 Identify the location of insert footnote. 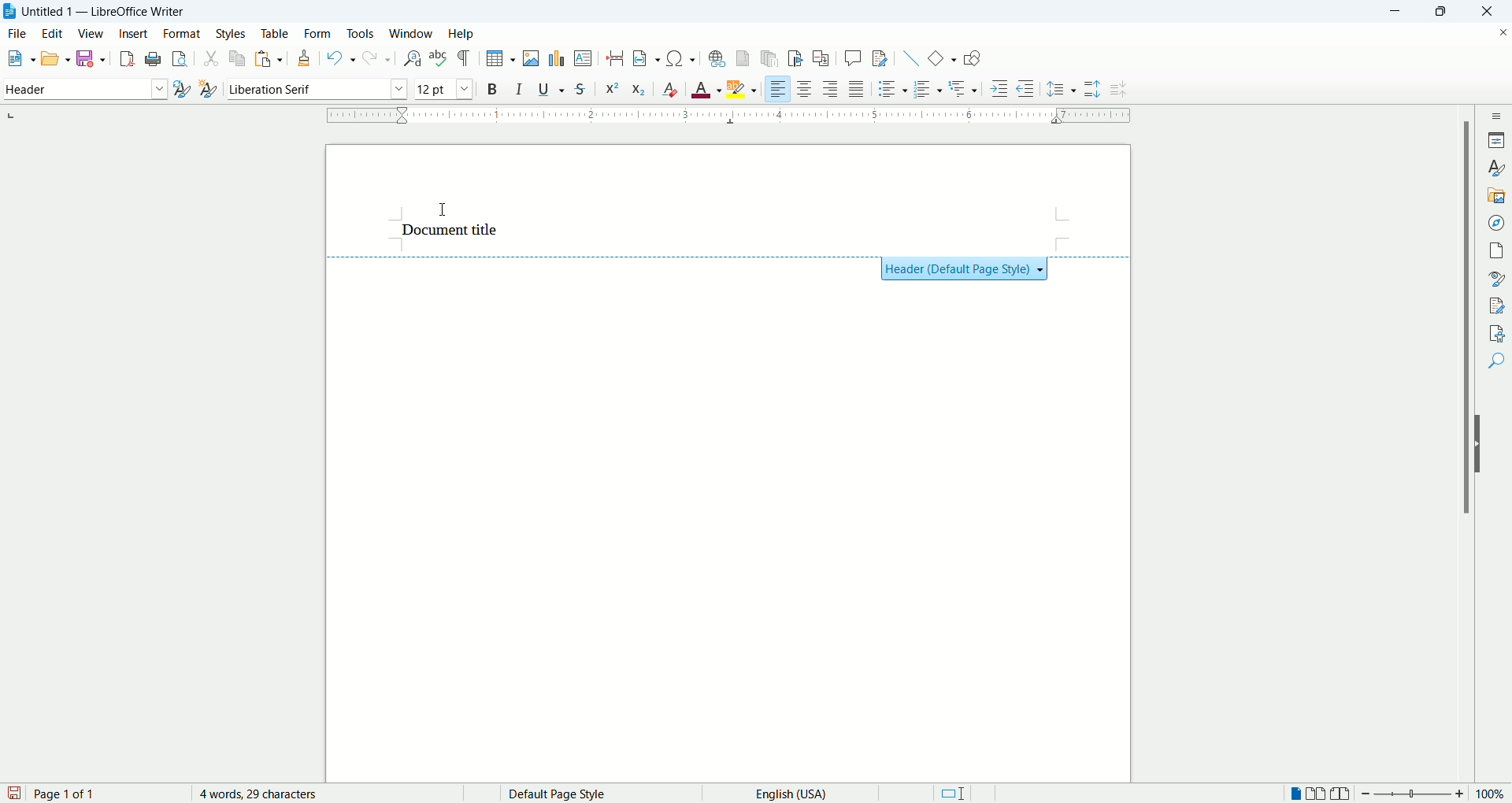
(740, 60).